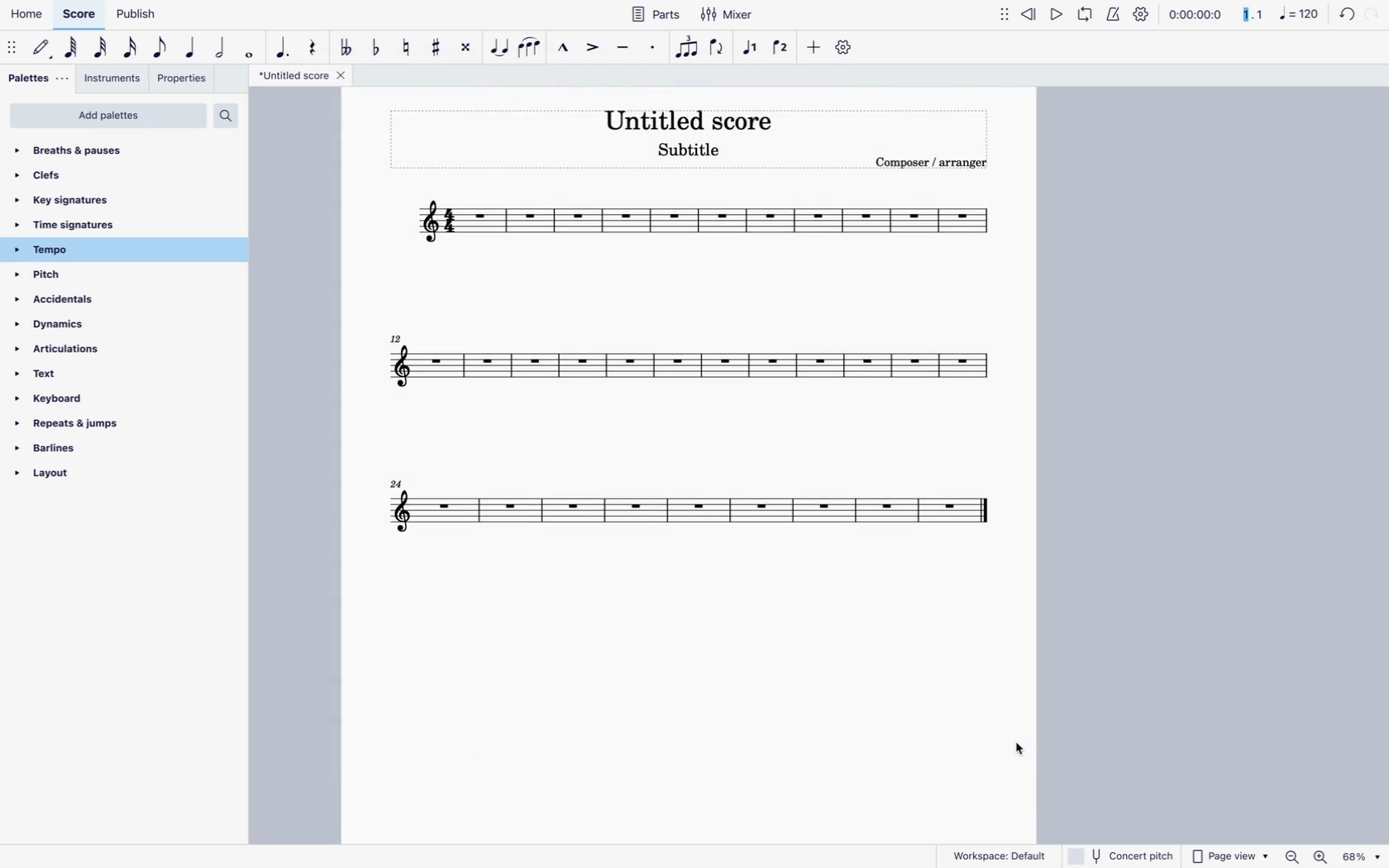 The image size is (1389, 868). Describe the element at coordinates (135, 14) in the screenshot. I see `Publish` at that location.